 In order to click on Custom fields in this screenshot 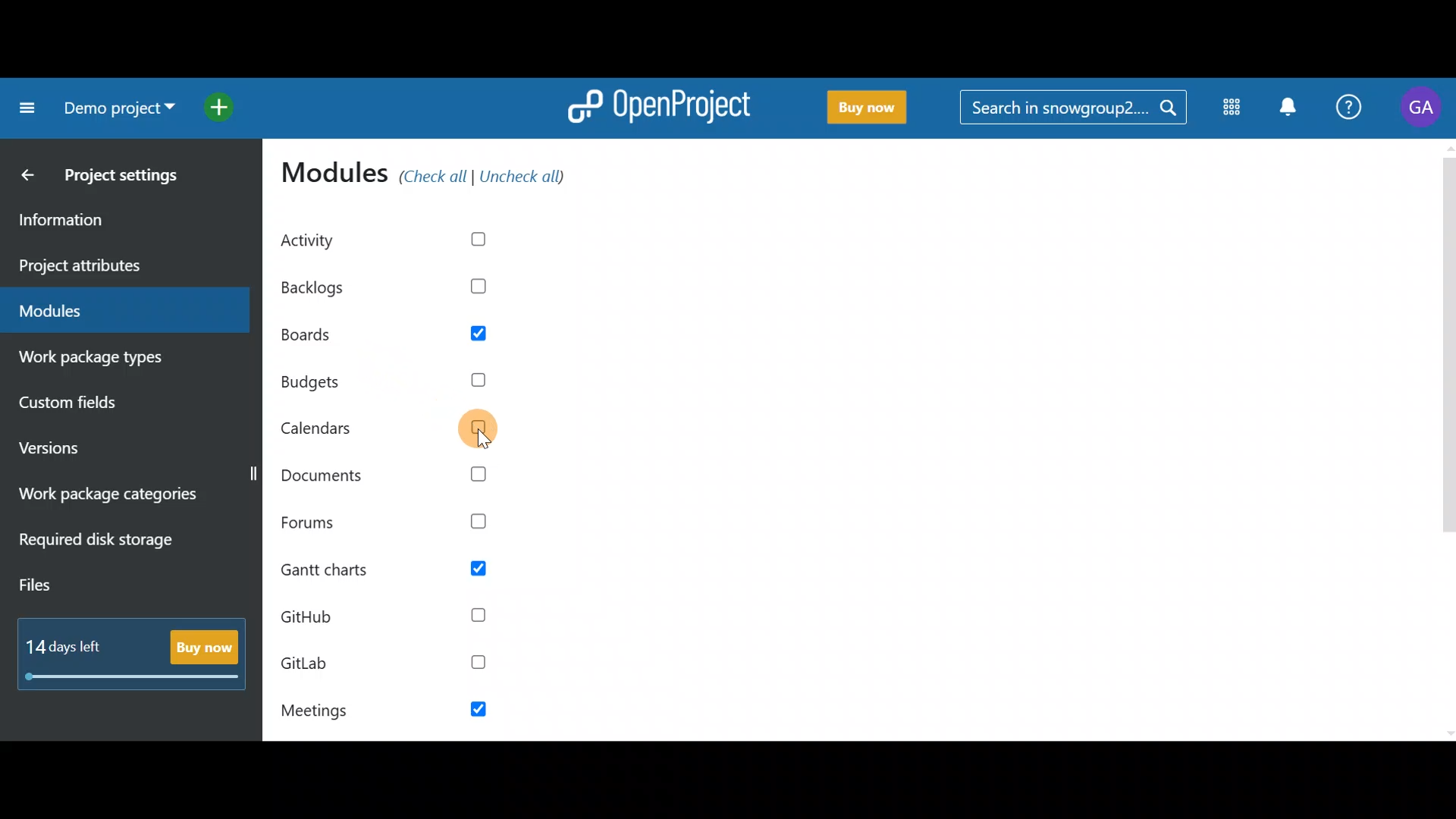, I will do `click(102, 407)`.